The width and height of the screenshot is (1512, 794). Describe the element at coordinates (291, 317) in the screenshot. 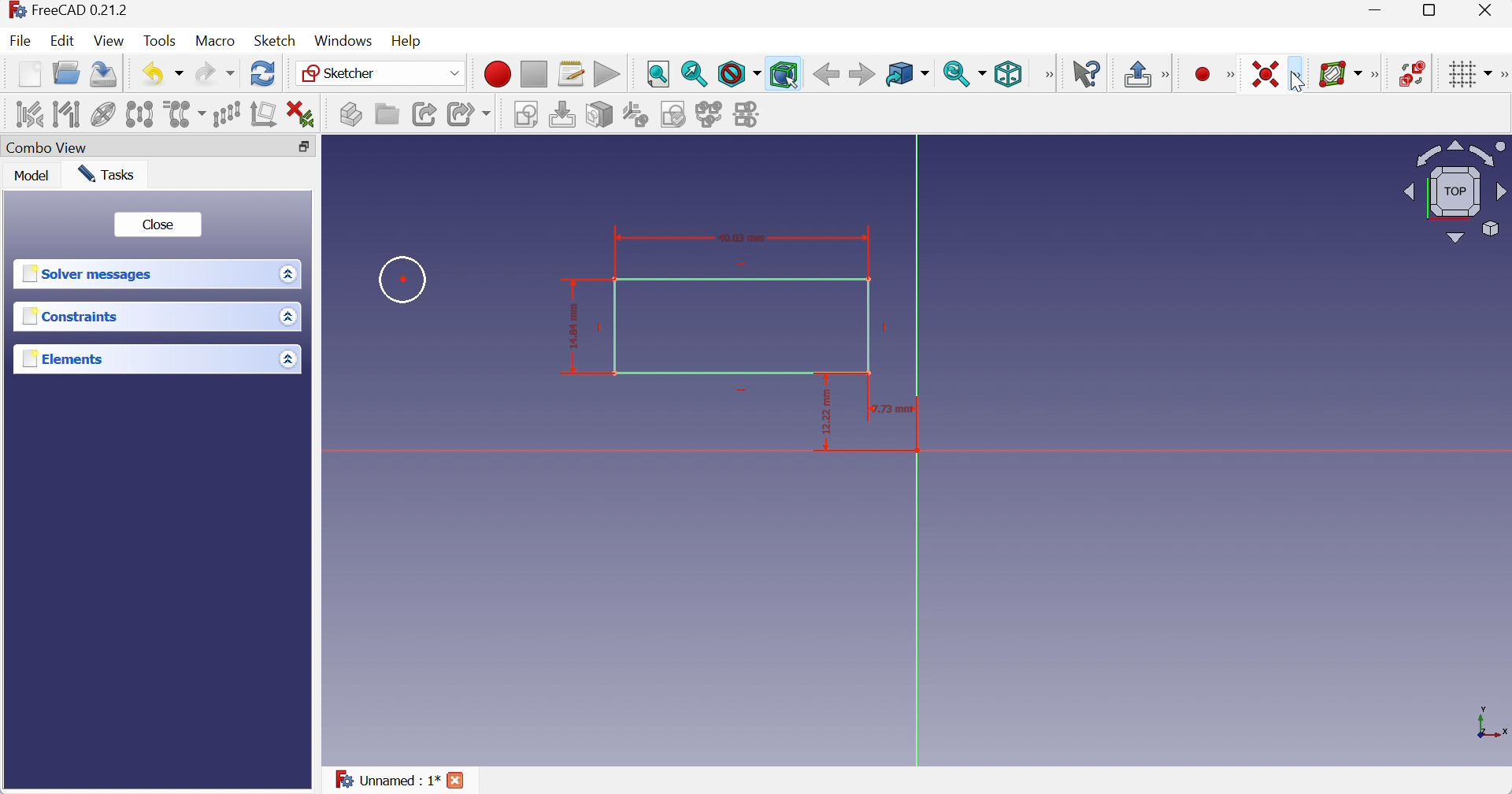

I see `Drop down` at that location.